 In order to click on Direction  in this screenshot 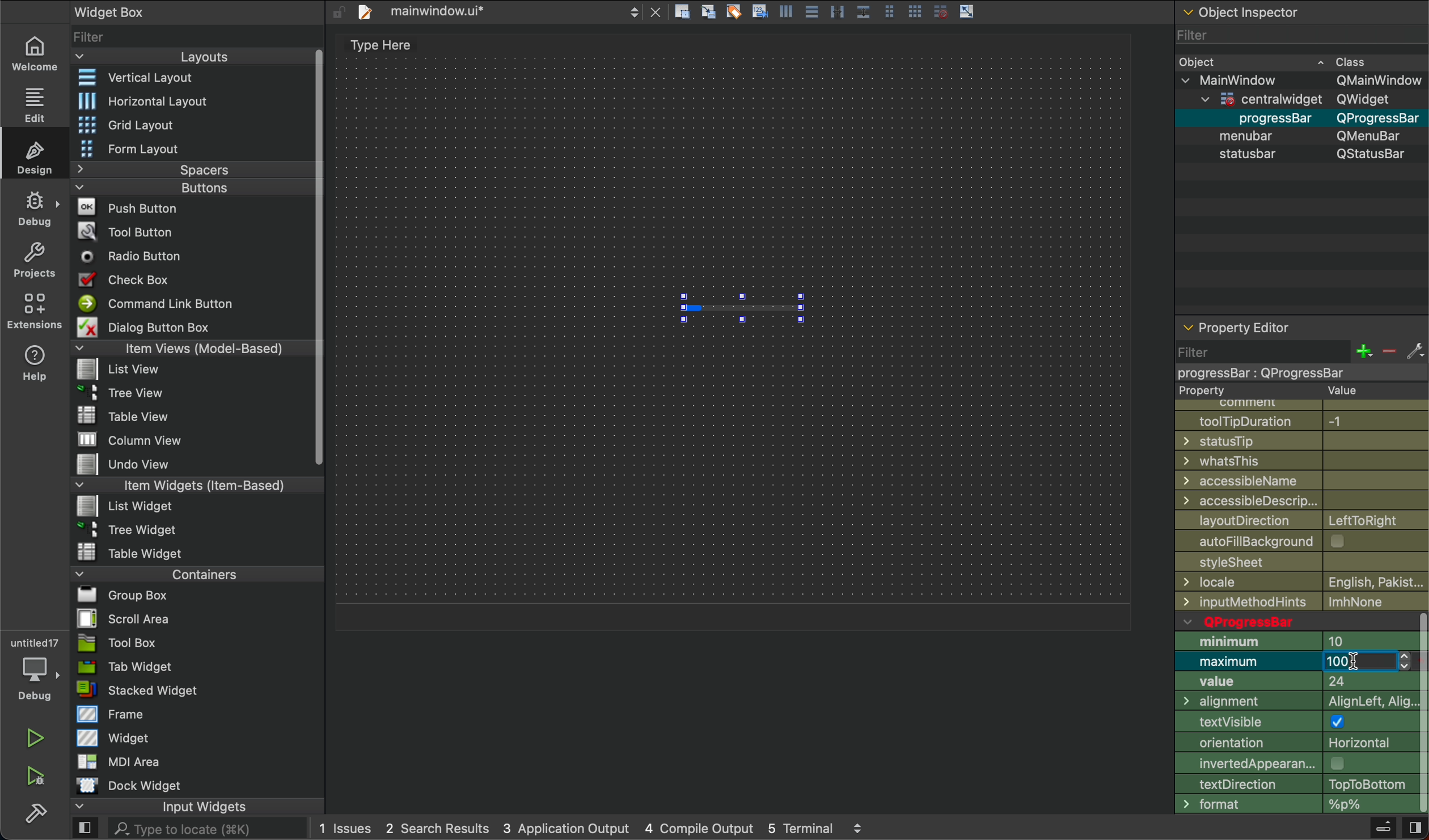, I will do `click(1291, 784)`.